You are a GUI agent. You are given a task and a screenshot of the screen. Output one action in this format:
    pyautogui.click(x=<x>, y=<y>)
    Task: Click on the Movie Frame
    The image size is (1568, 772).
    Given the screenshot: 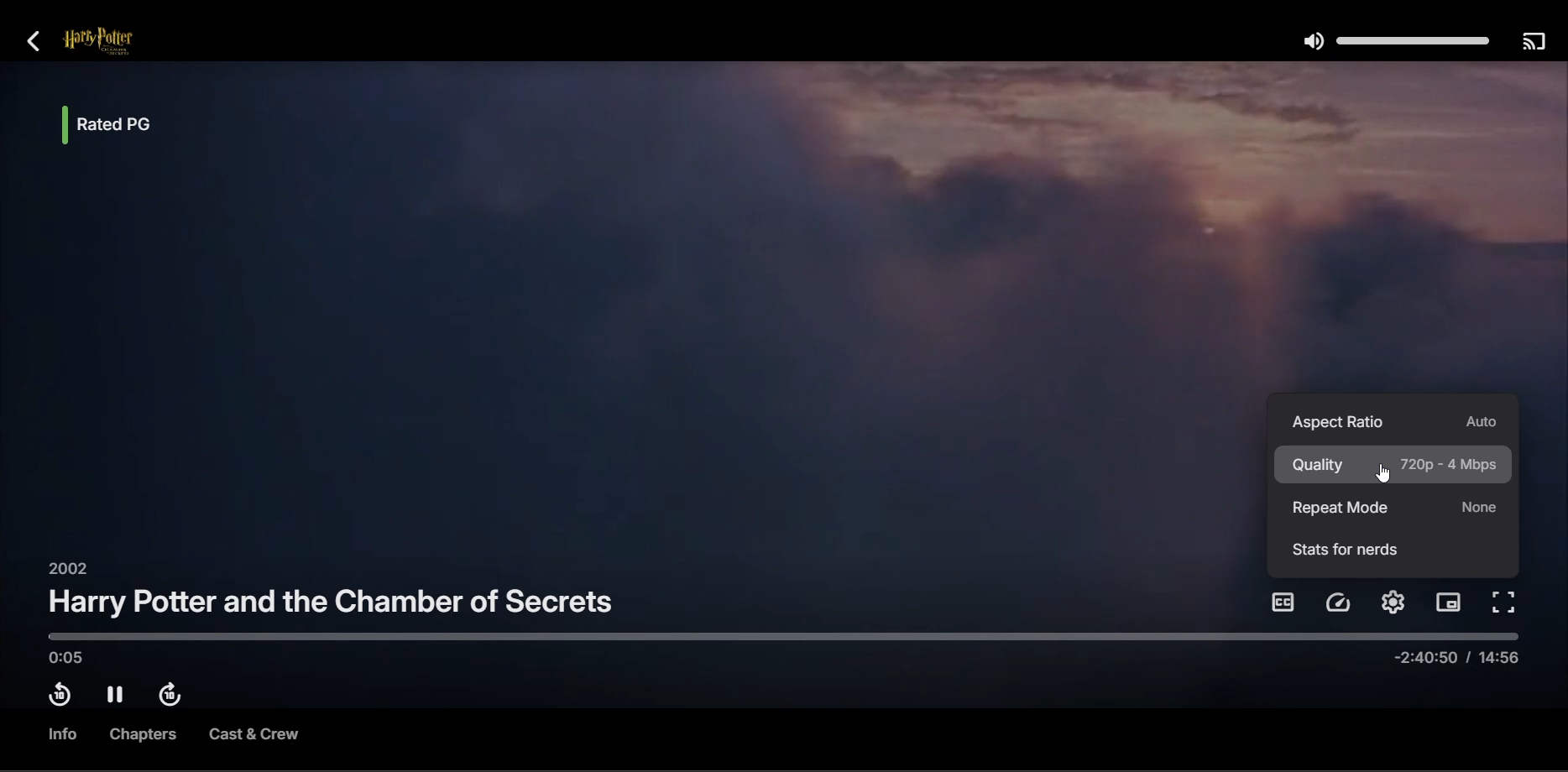 What is the action you would take?
    pyautogui.click(x=633, y=313)
    